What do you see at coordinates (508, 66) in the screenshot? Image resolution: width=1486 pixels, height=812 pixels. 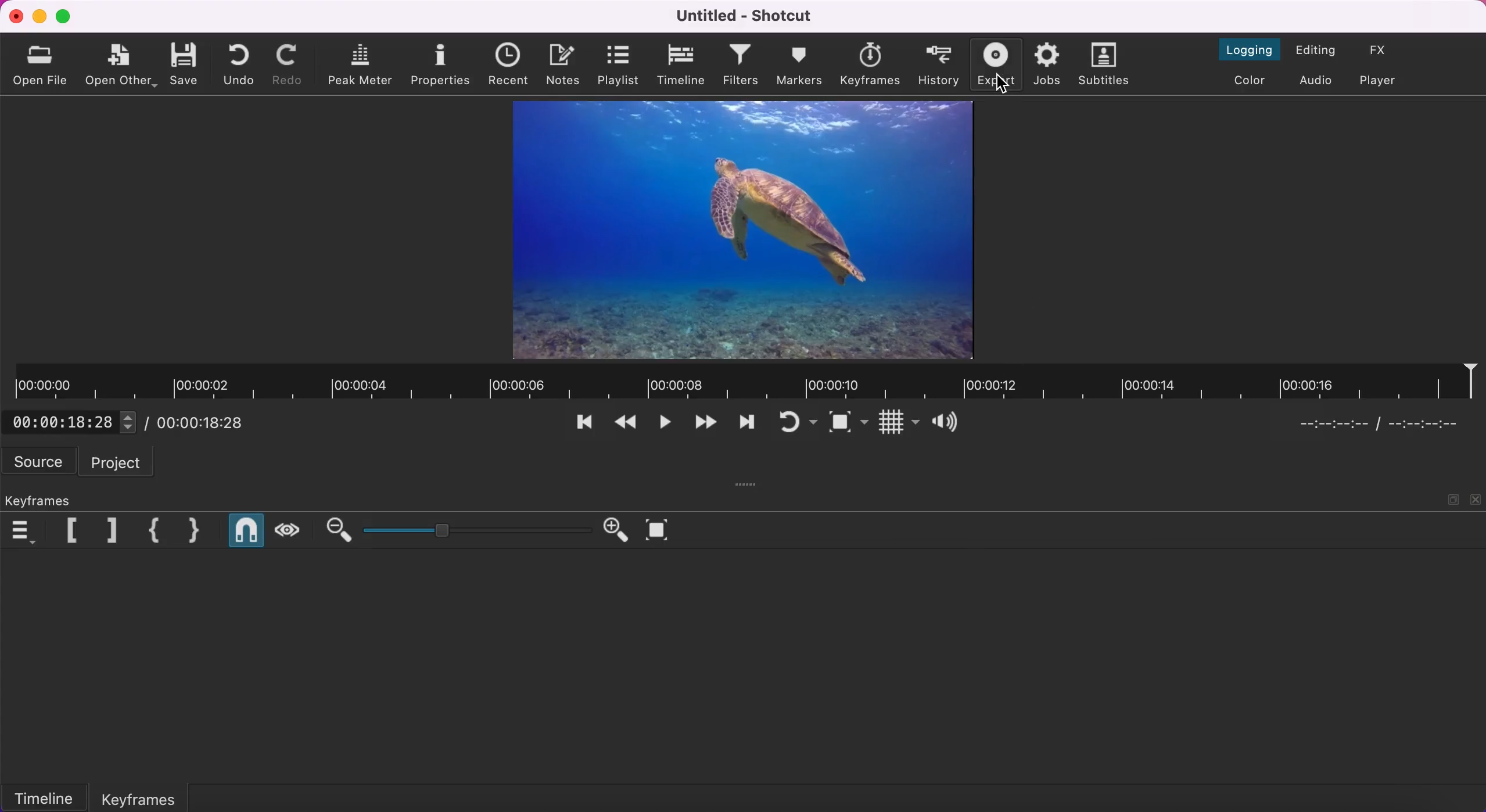 I see `recent` at bounding box center [508, 66].